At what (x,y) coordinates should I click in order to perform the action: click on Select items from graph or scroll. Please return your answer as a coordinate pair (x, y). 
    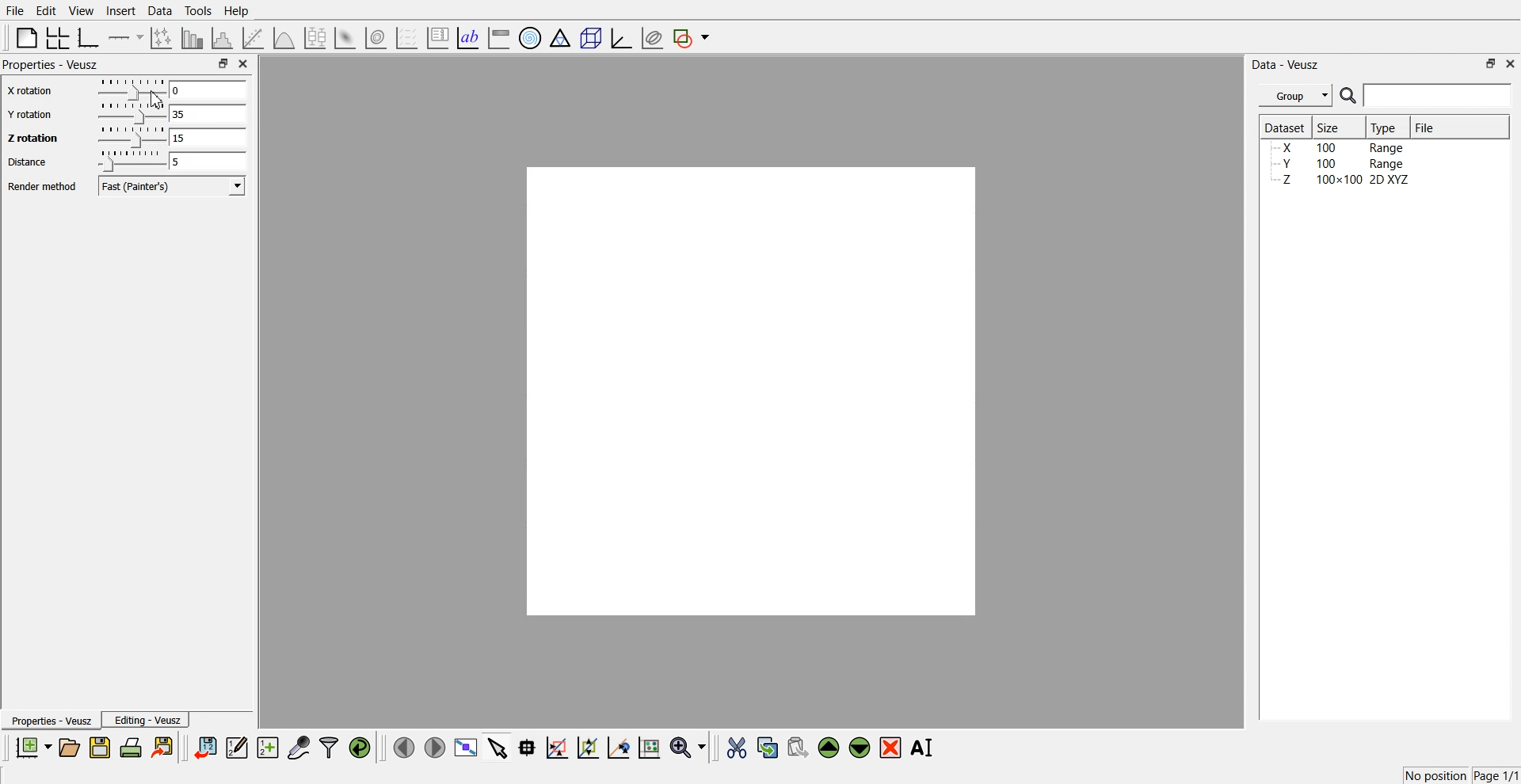
    Looking at the image, I should click on (498, 746).